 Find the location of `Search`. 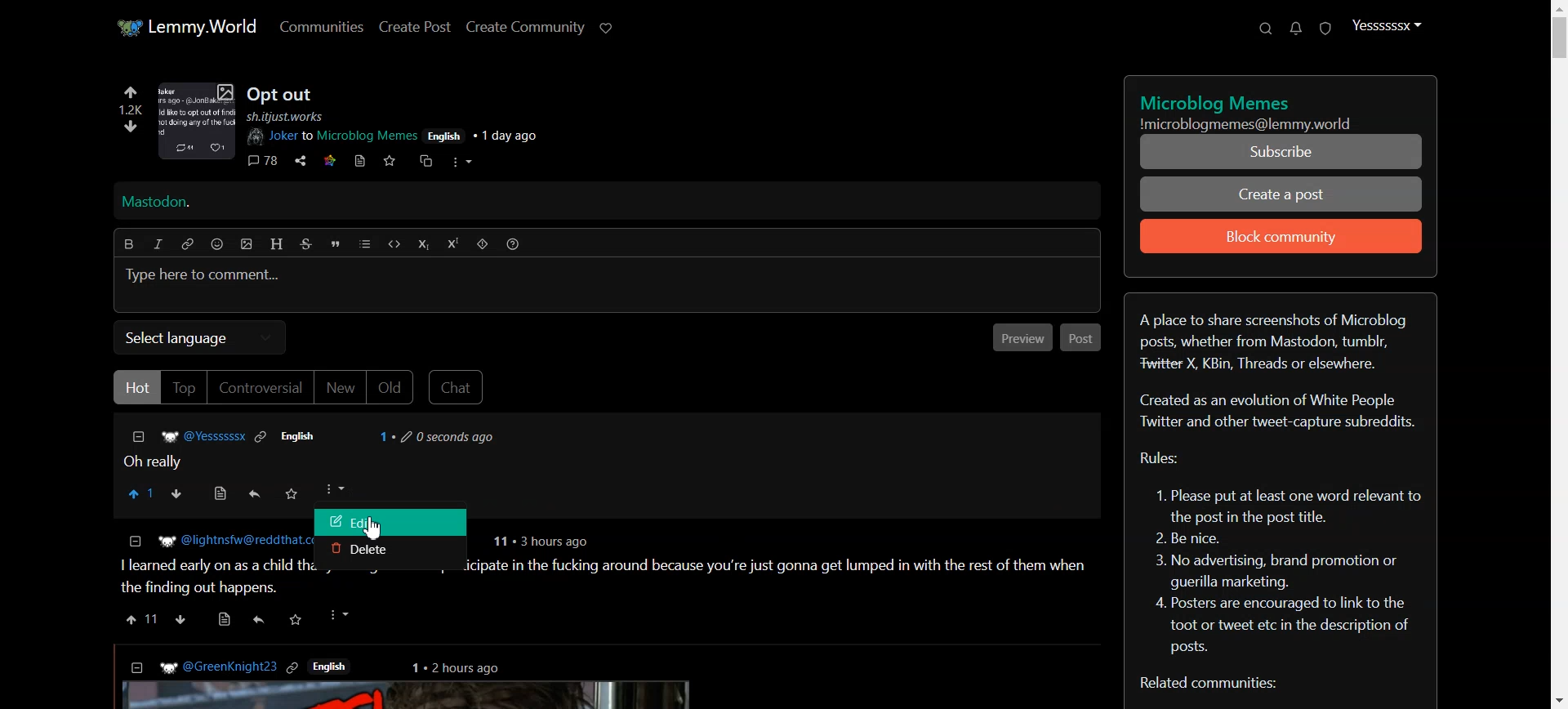

Search is located at coordinates (1267, 28).